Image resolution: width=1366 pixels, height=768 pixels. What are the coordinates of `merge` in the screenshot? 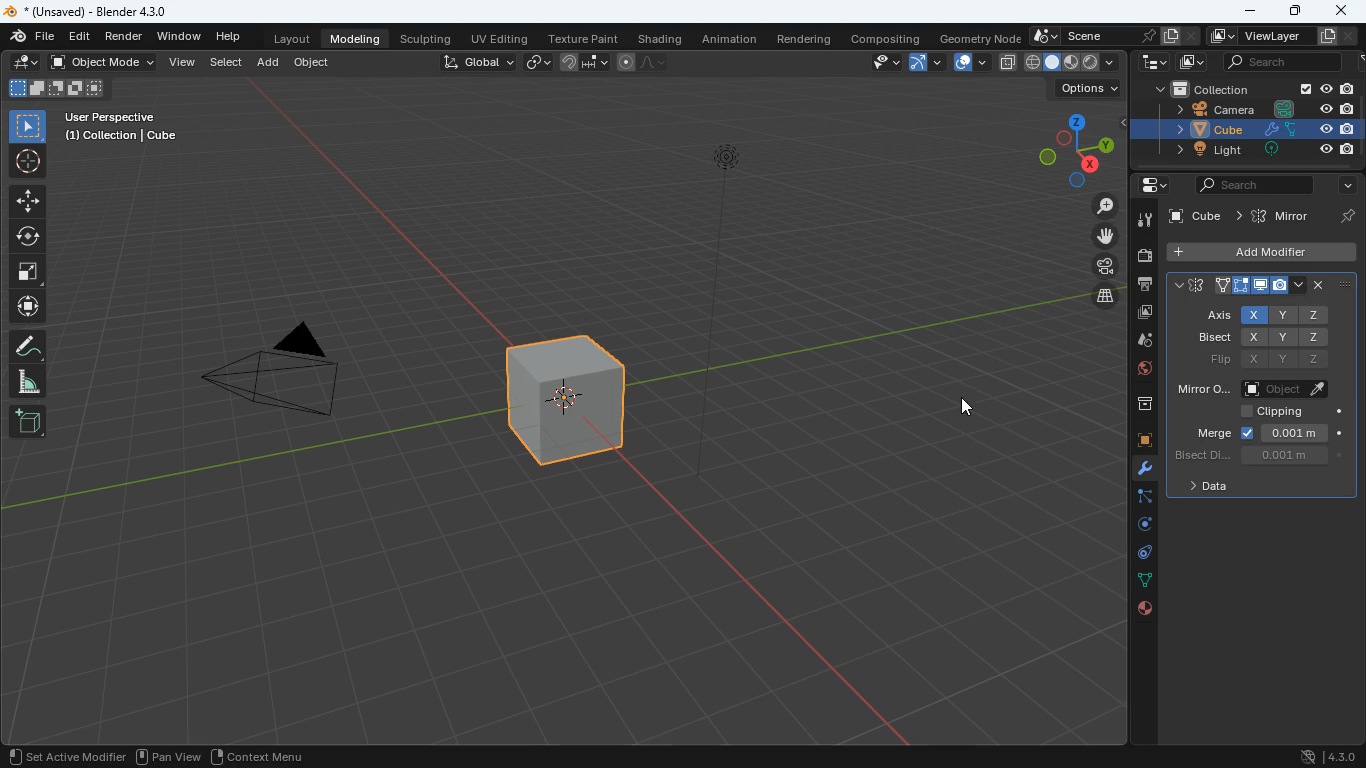 It's located at (1266, 433).